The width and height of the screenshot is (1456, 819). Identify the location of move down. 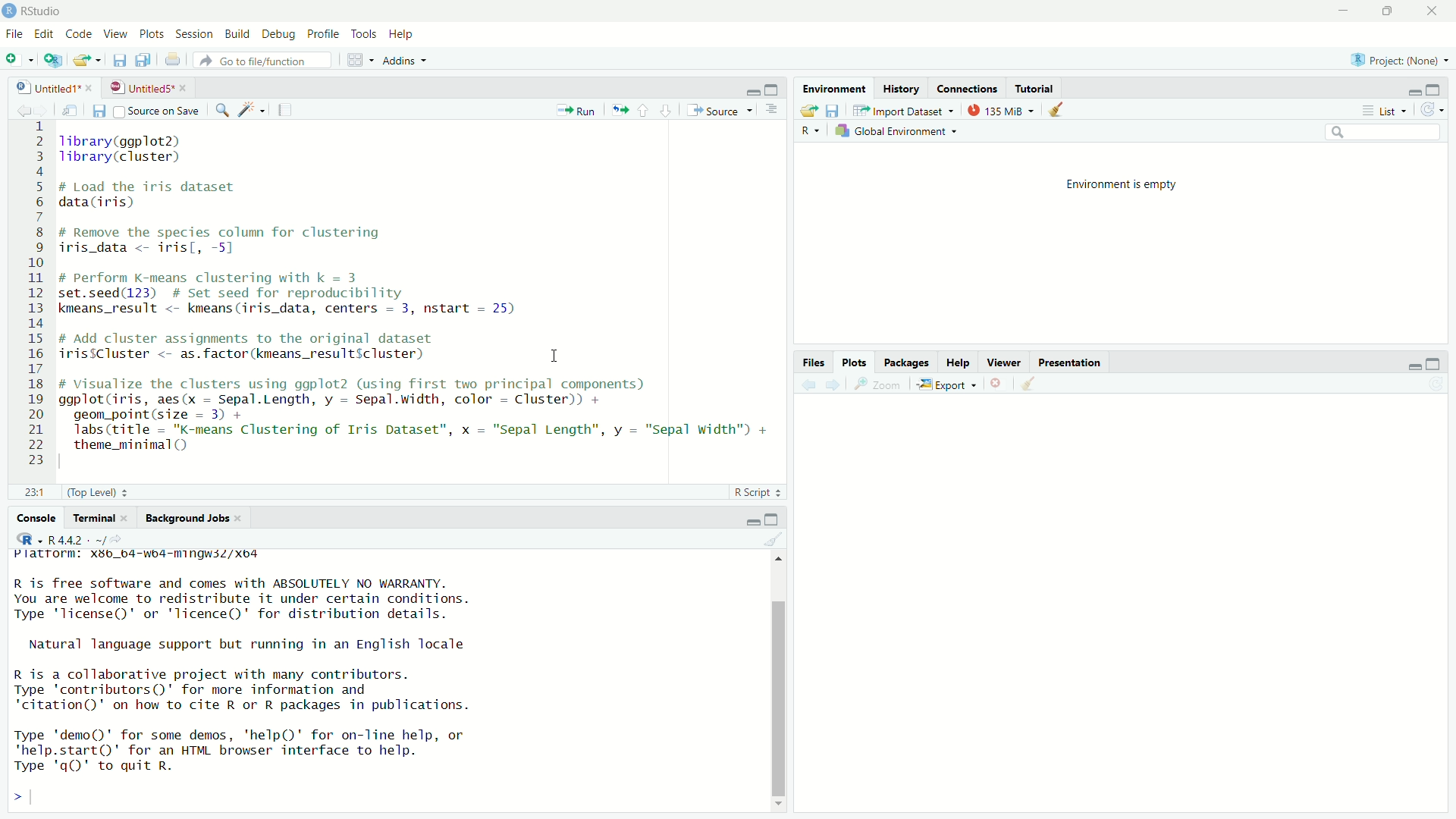
(780, 809).